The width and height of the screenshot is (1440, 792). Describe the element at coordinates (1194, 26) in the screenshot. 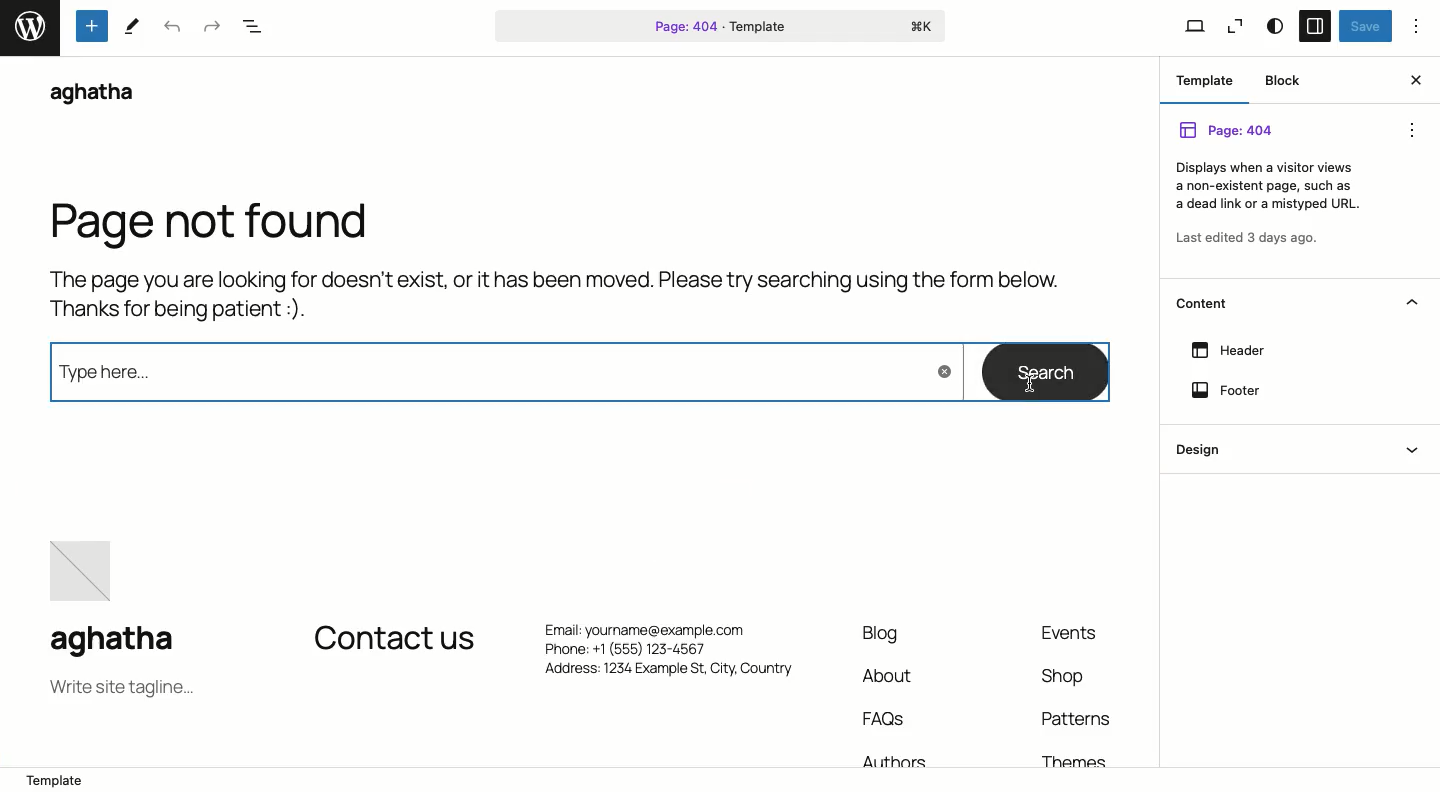

I see `View` at that location.